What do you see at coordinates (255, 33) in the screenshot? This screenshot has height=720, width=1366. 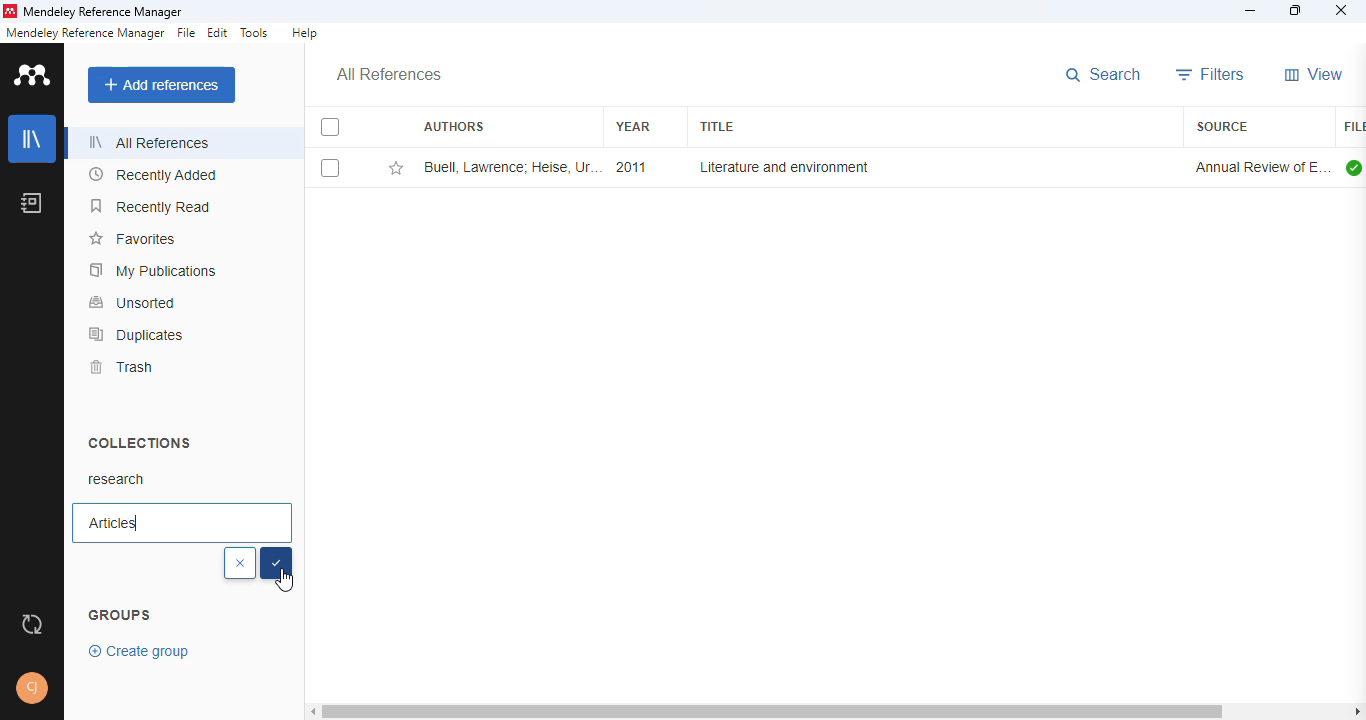 I see `tools` at bounding box center [255, 33].